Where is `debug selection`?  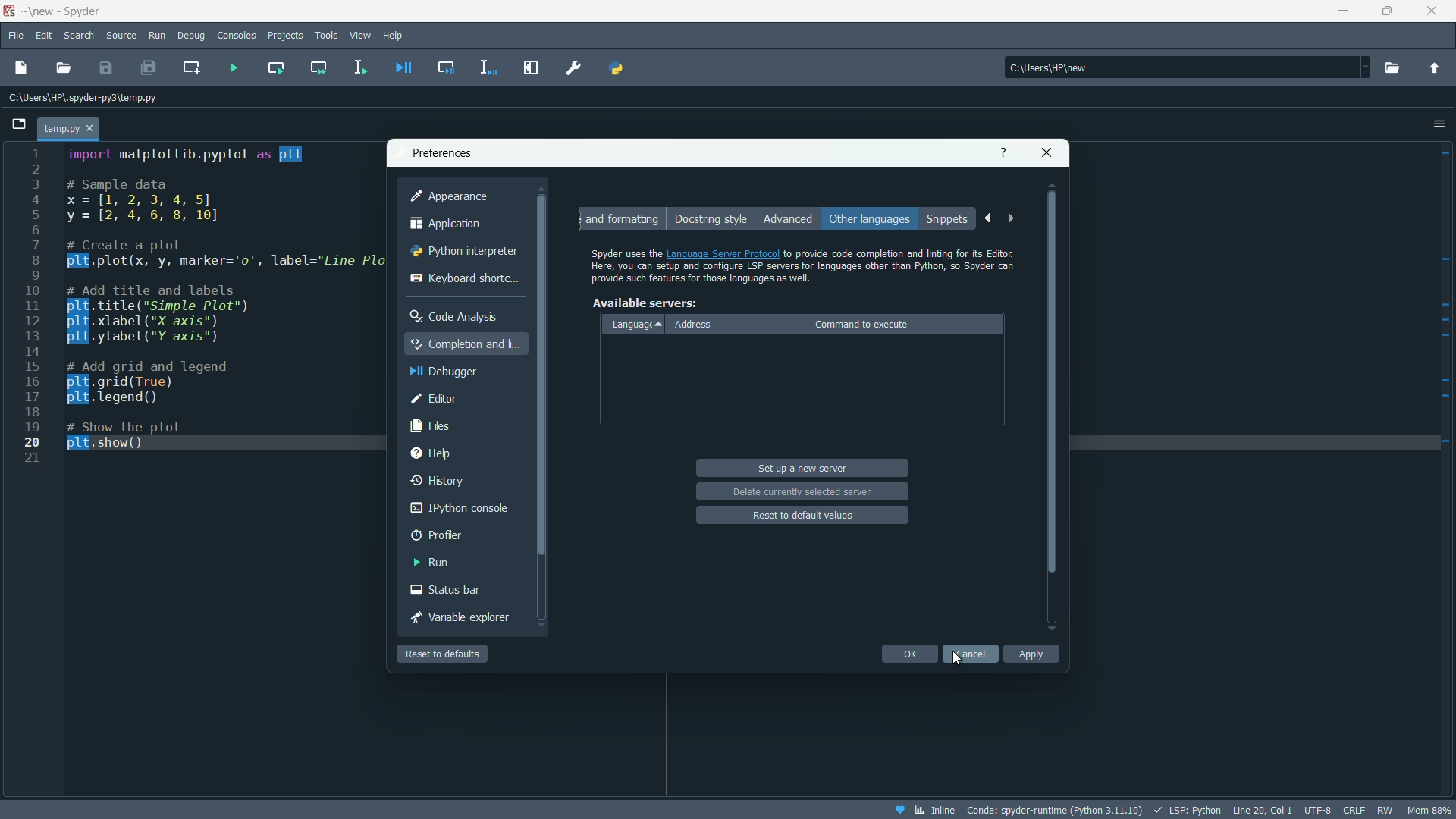 debug selection is located at coordinates (489, 67).